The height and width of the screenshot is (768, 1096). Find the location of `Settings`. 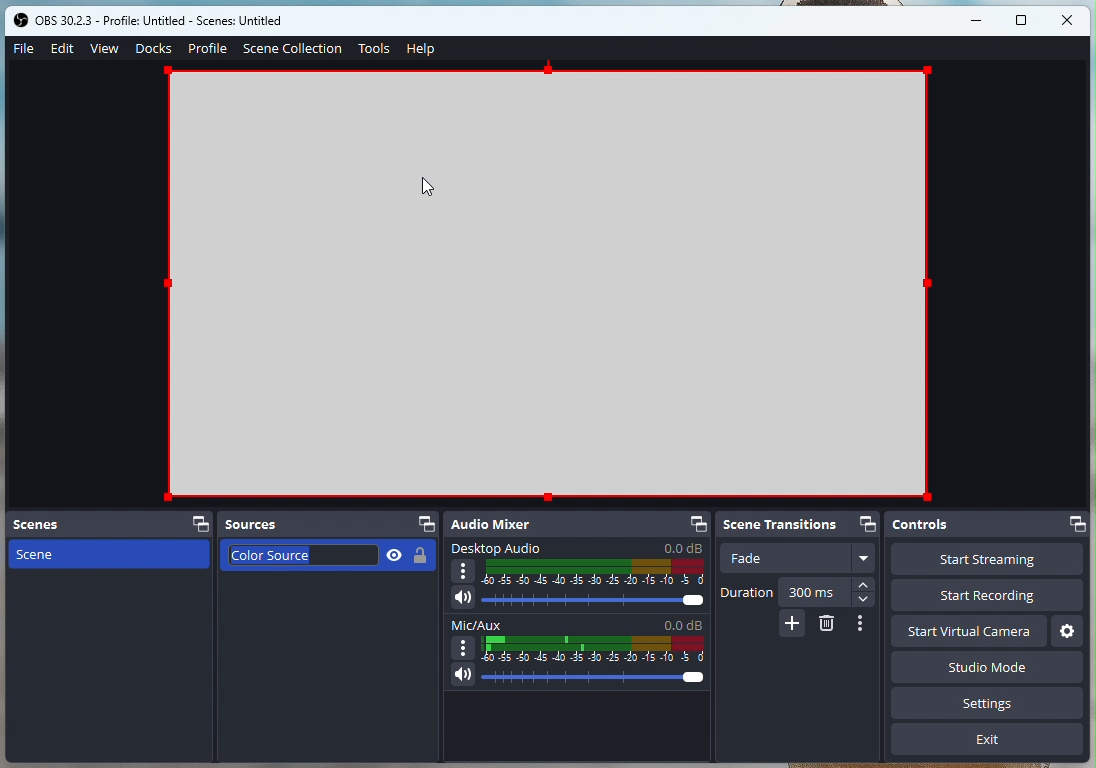

Settings is located at coordinates (991, 706).